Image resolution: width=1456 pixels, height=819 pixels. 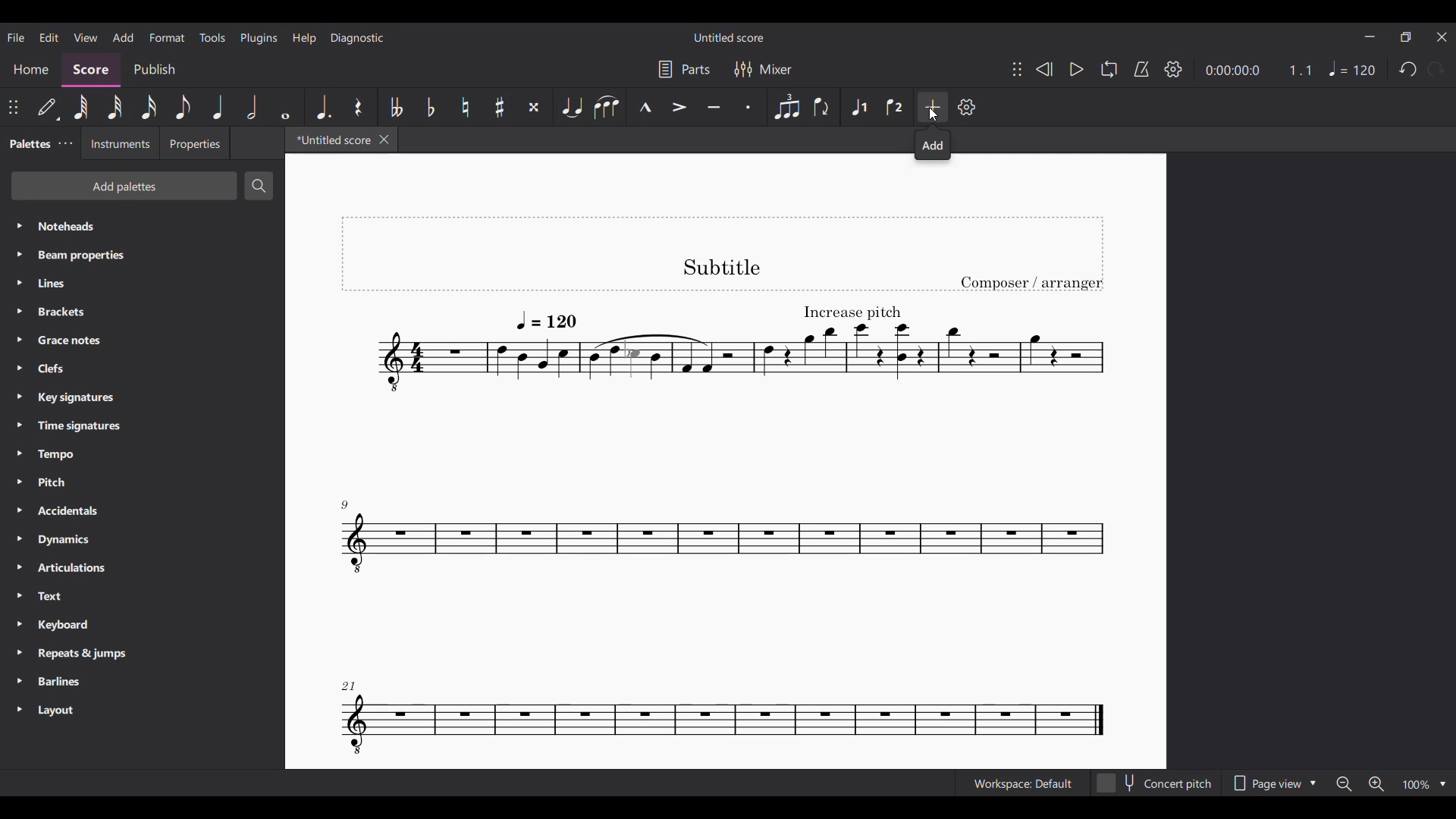 I want to click on Slur, so click(x=607, y=106).